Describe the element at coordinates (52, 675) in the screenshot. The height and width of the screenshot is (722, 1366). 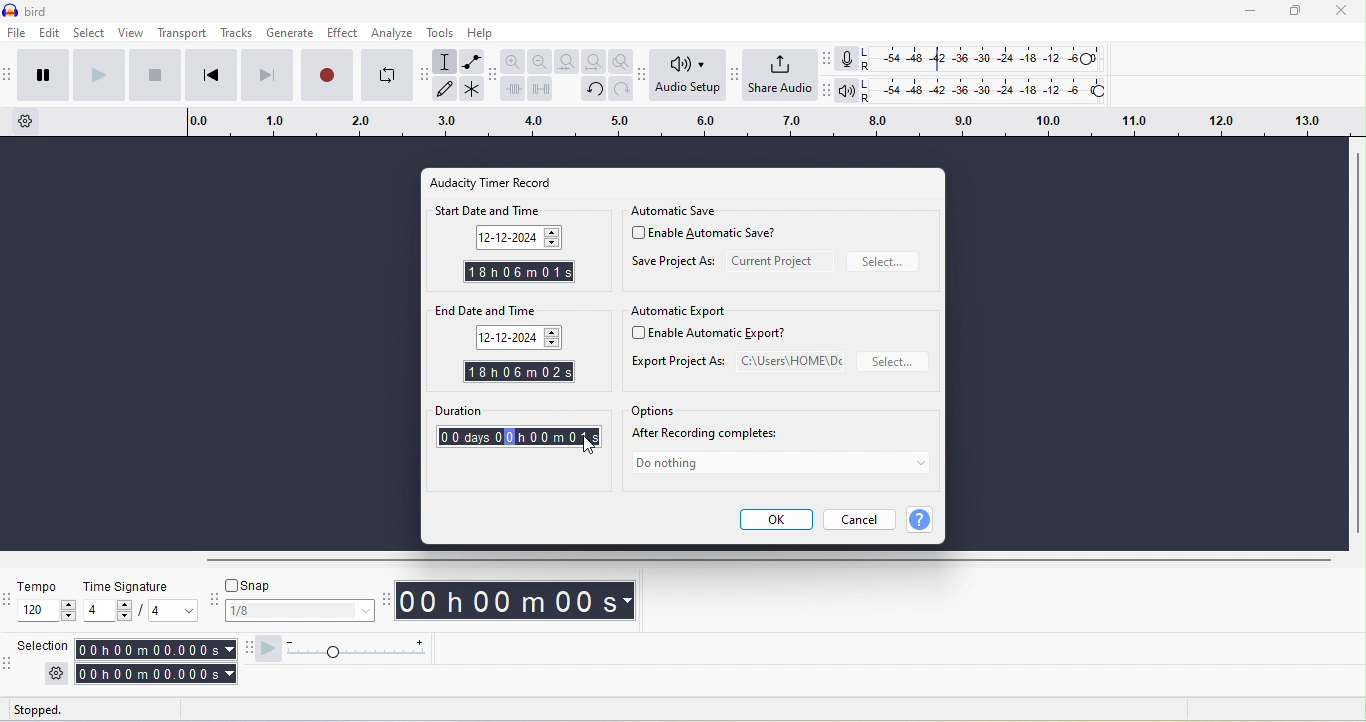
I see `settings` at that location.